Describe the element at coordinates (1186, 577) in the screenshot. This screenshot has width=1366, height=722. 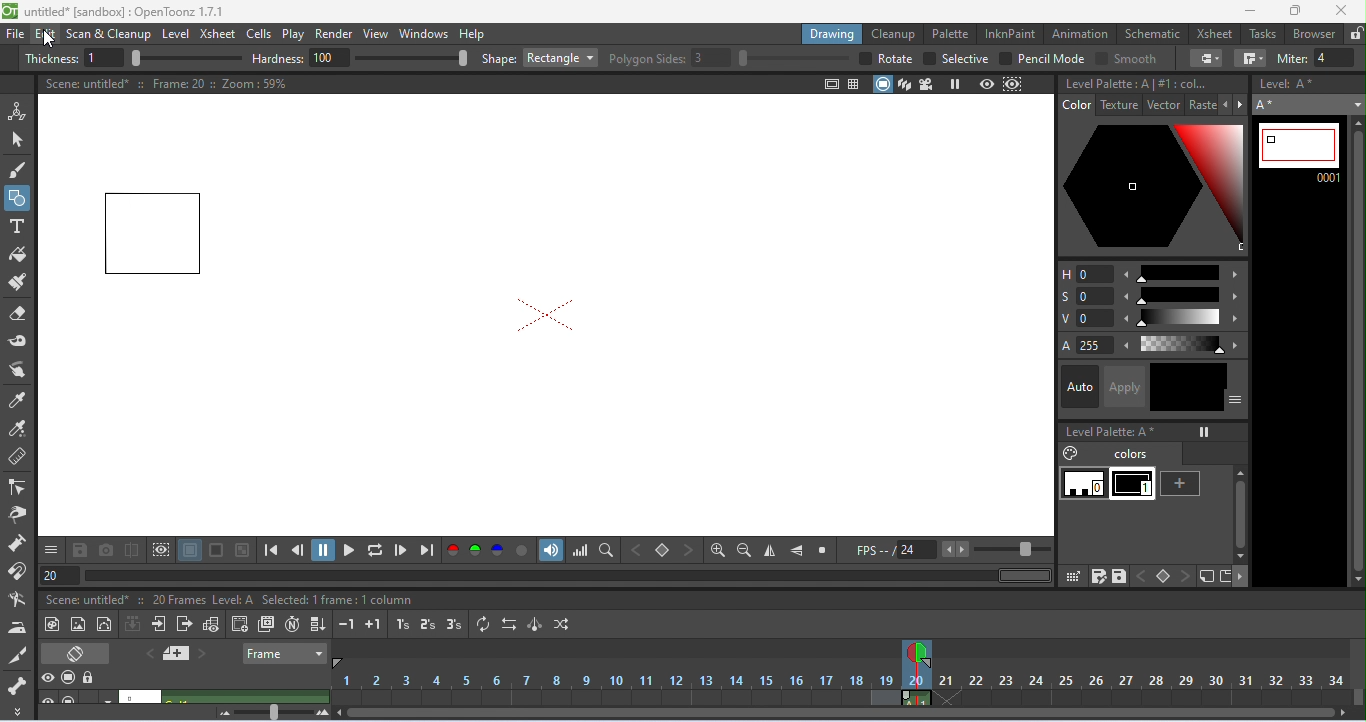
I see `next key` at that location.